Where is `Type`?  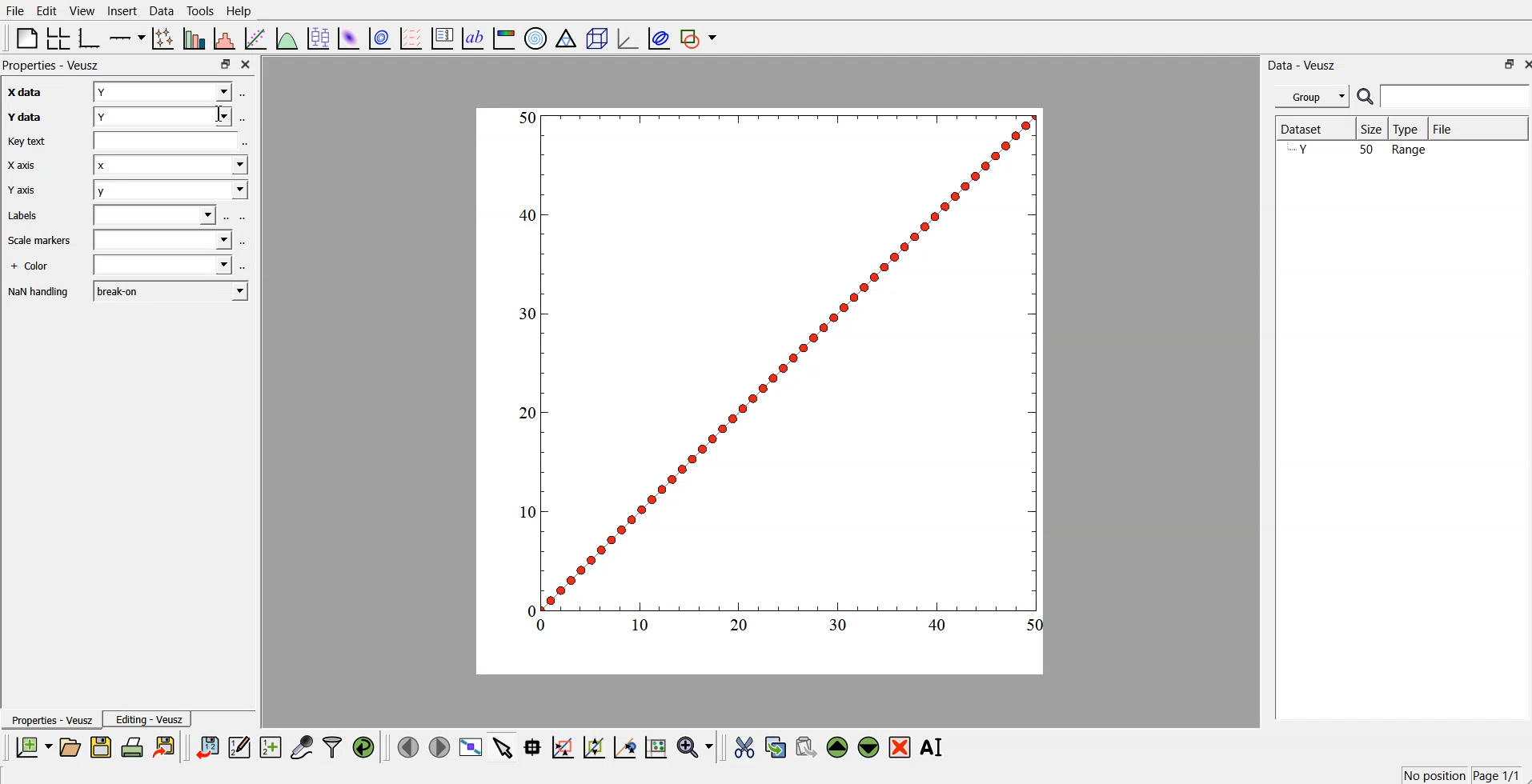 Type is located at coordinates (1410, 128).